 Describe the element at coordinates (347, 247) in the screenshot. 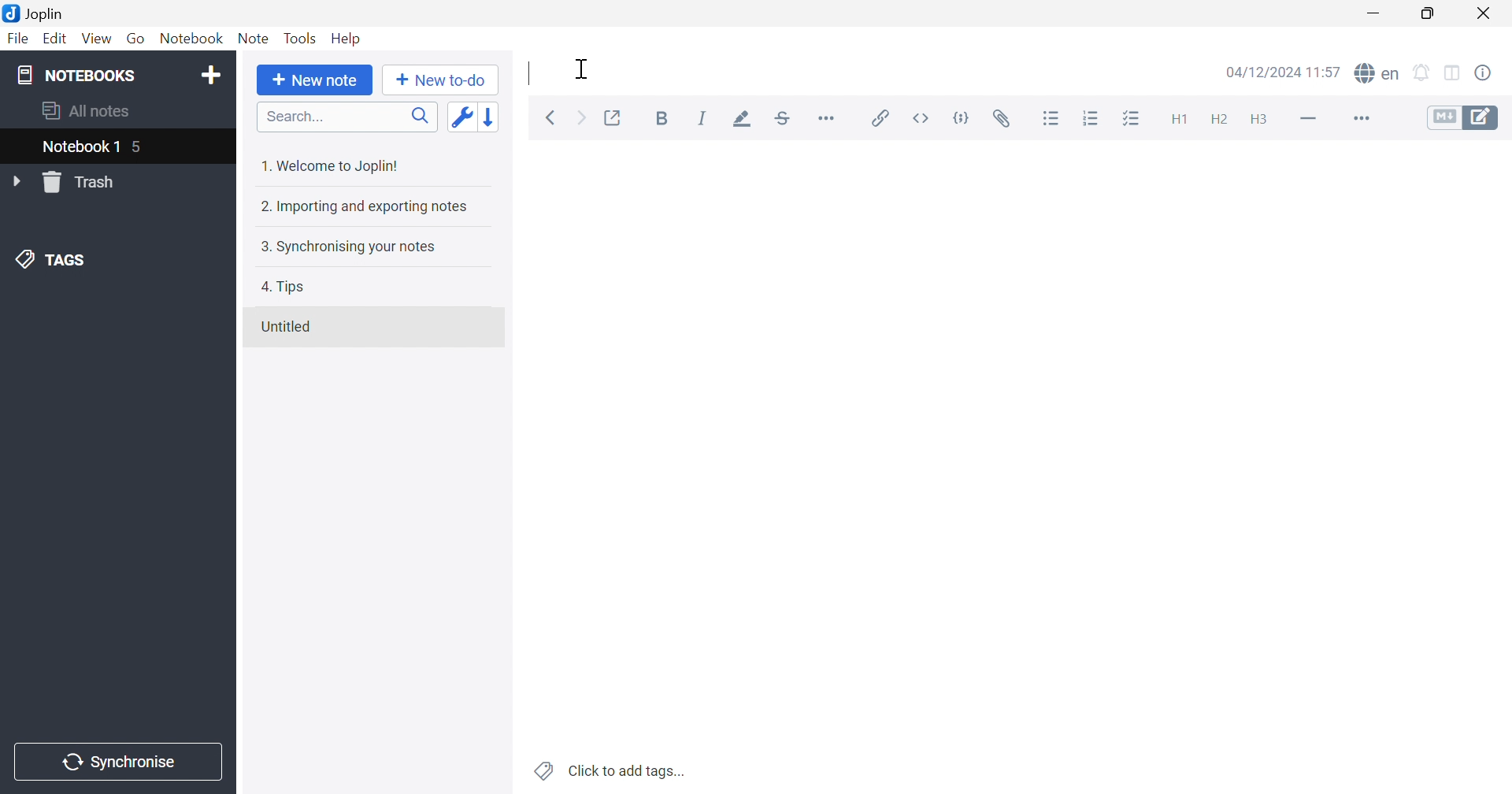

I see `3. Synchronising your notes` at that location.